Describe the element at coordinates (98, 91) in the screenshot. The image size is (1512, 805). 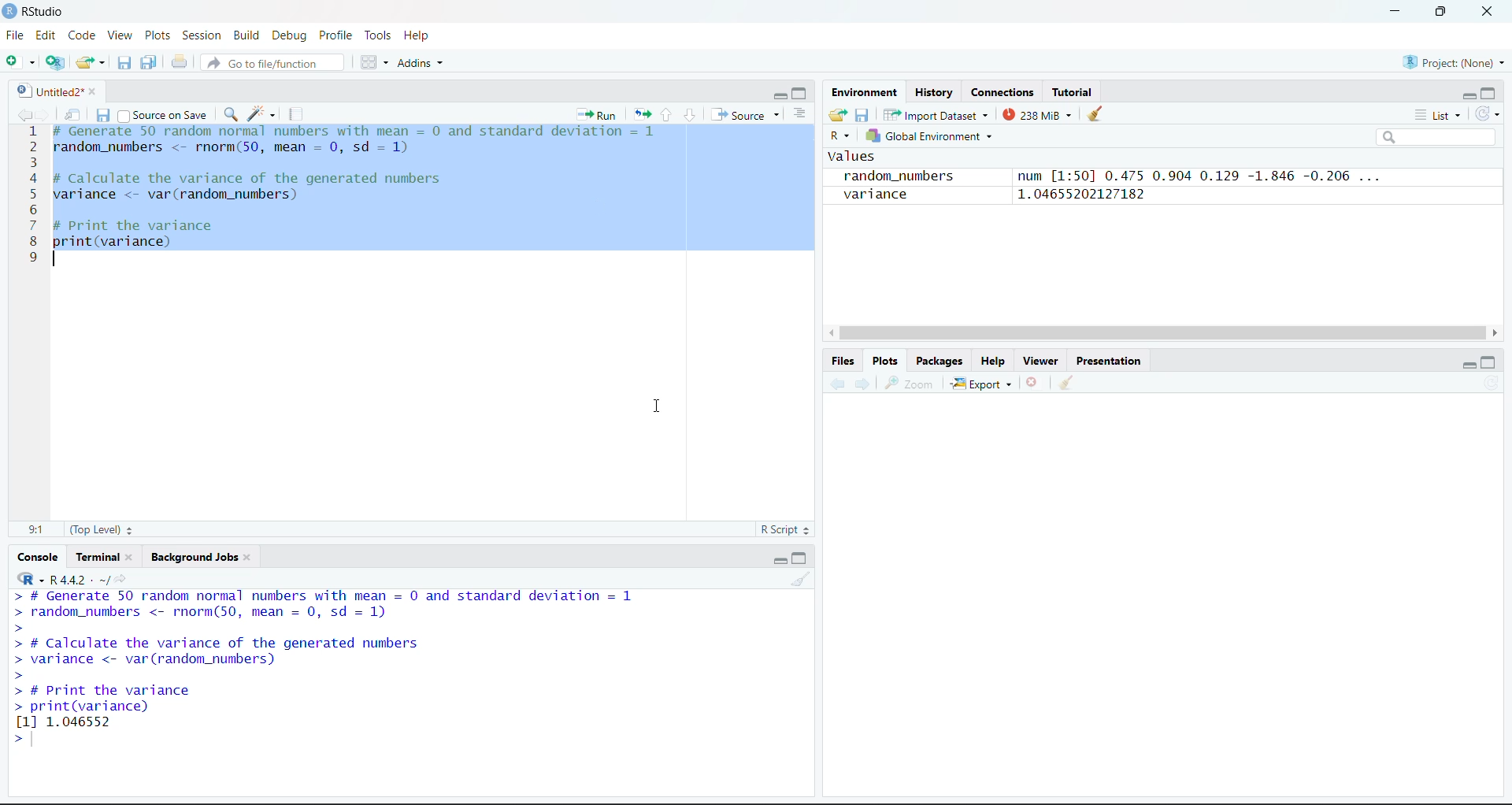
I see `close` at that location.